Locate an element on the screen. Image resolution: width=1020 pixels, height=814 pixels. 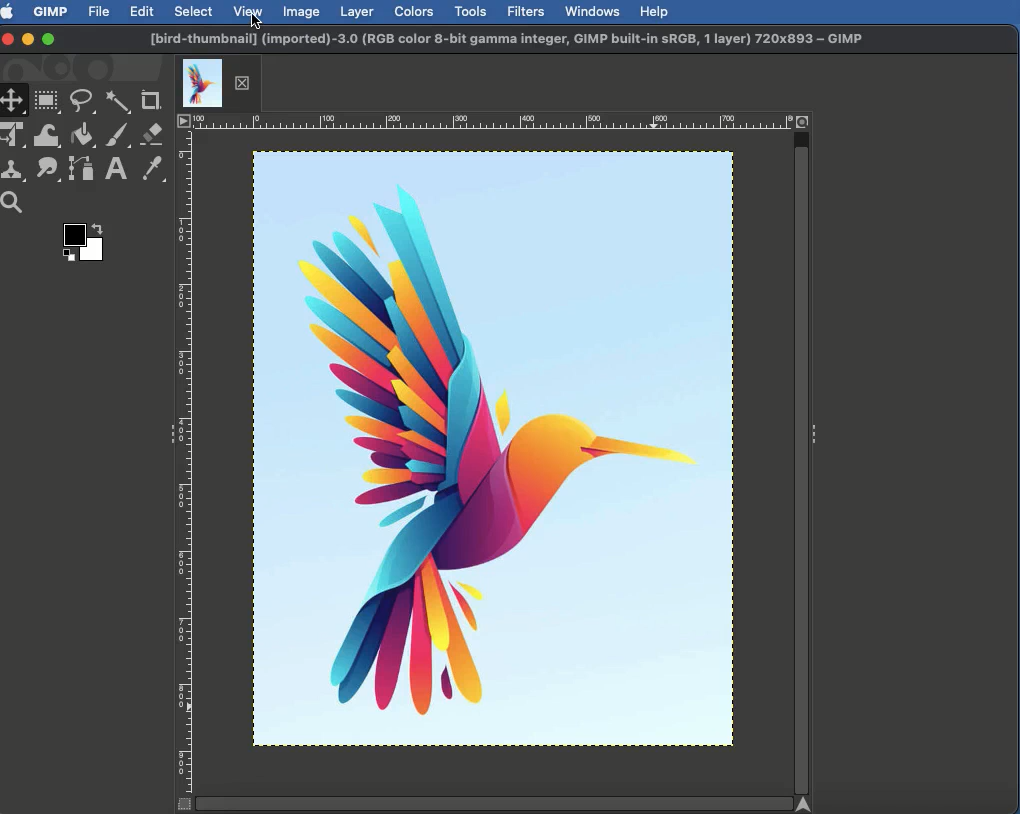
Show sidebar menu is located at coordinates (167, 436).